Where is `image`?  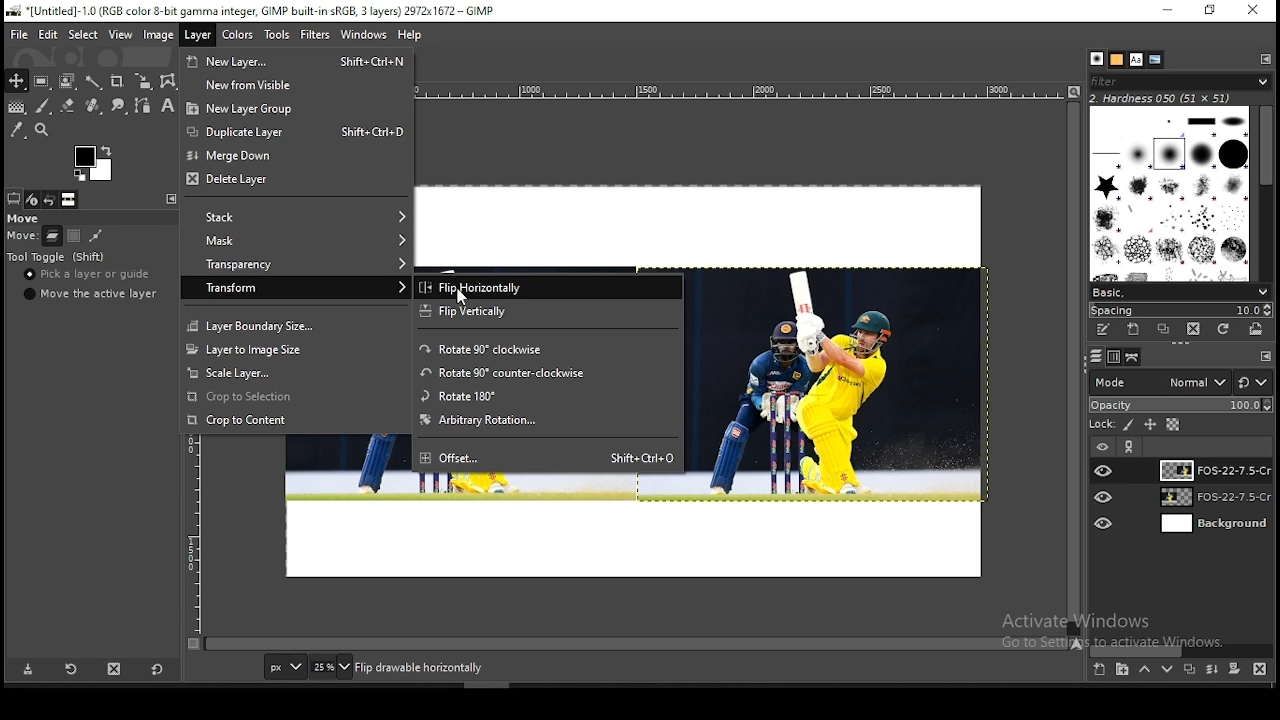
image is located at coordinates (159, 34).